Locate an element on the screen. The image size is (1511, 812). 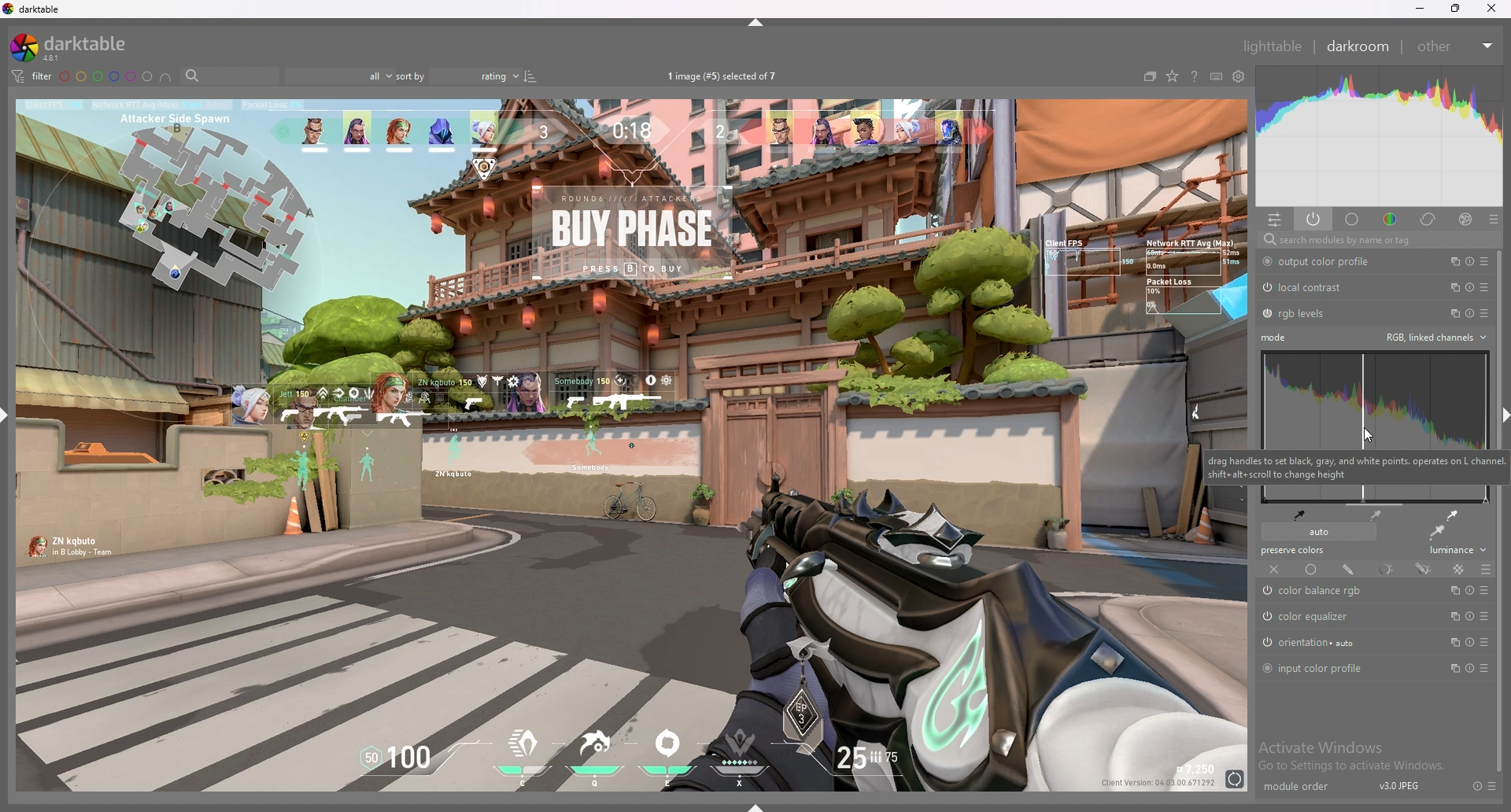
image is located at coordinates (631, 446).